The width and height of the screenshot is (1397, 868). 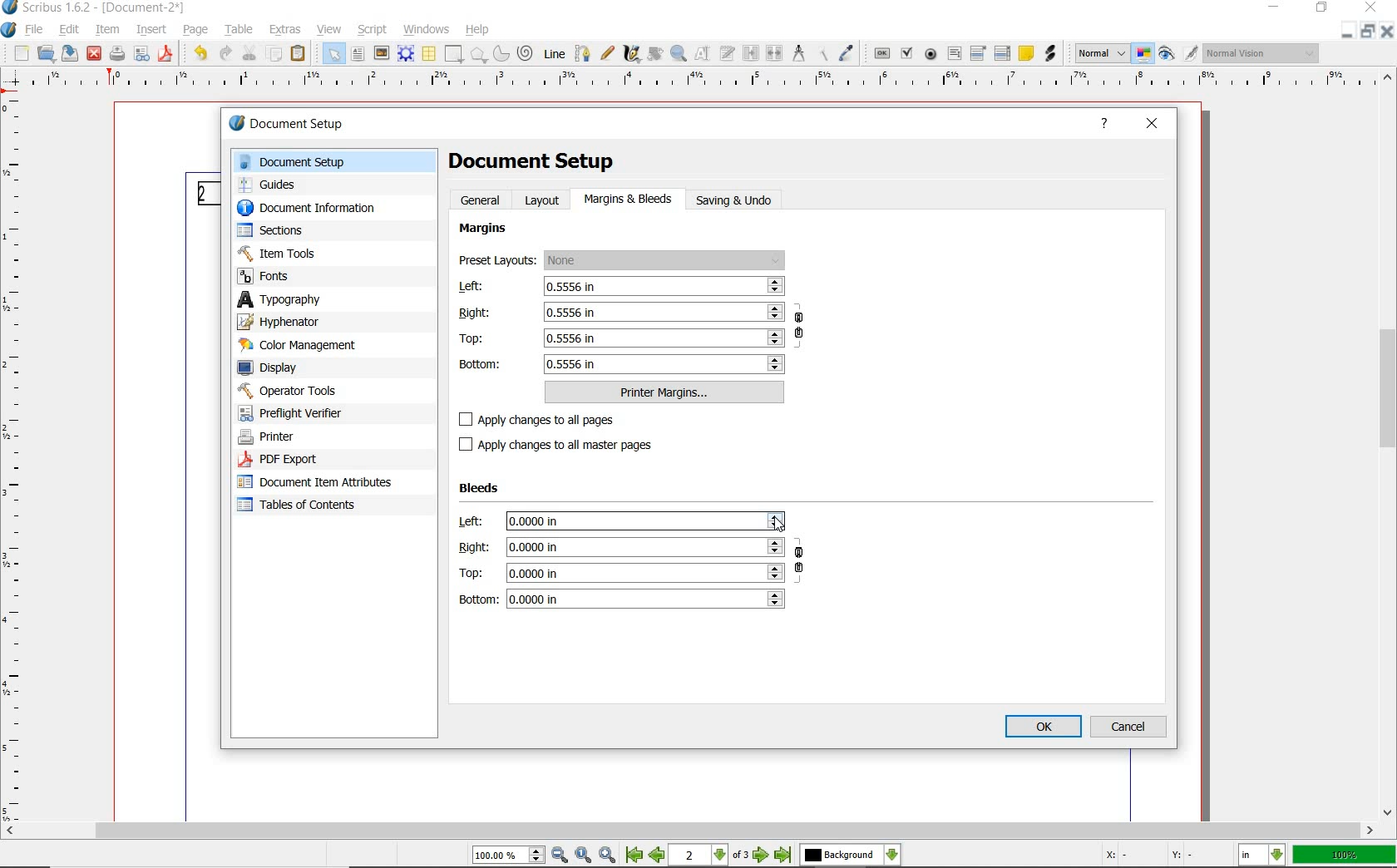 I want to click on document setup, so click(x=534, y=160).